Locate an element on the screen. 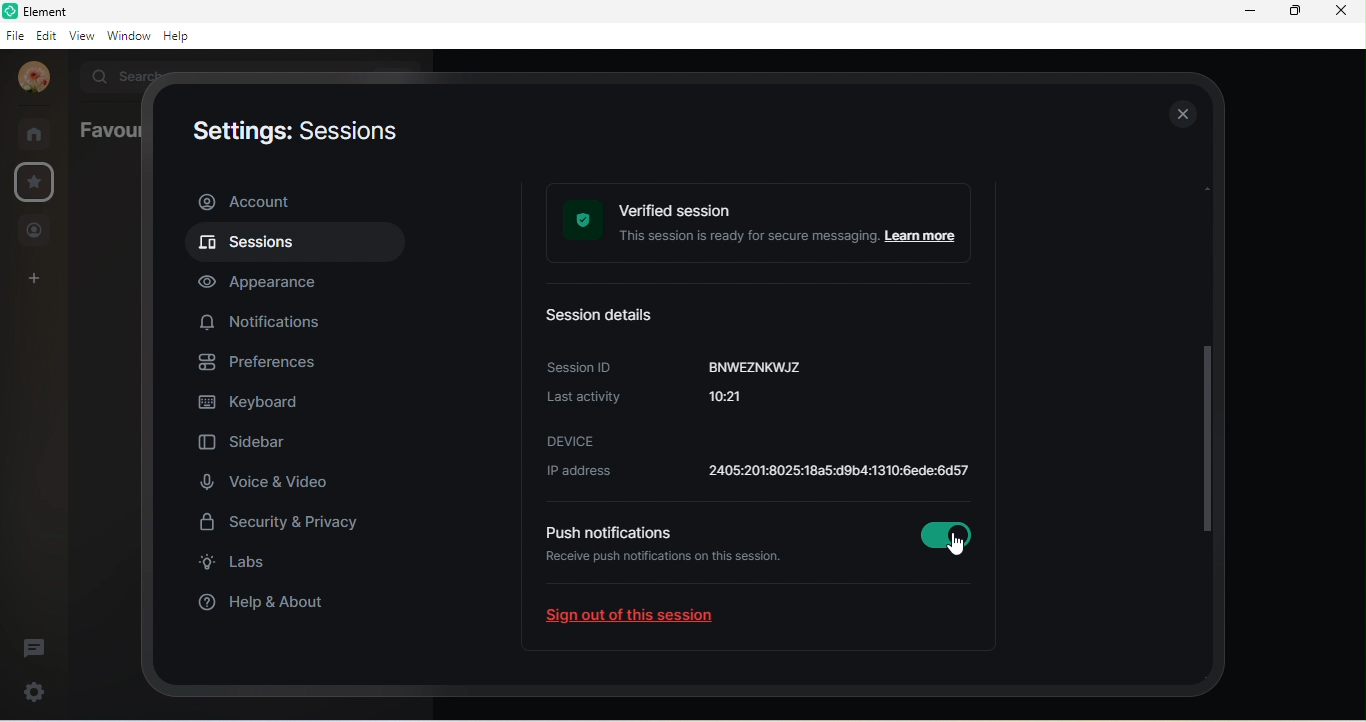 The height and width of the screenshot is (722, 1366). vertical scroll bar is located at coordinates (1213, 384).